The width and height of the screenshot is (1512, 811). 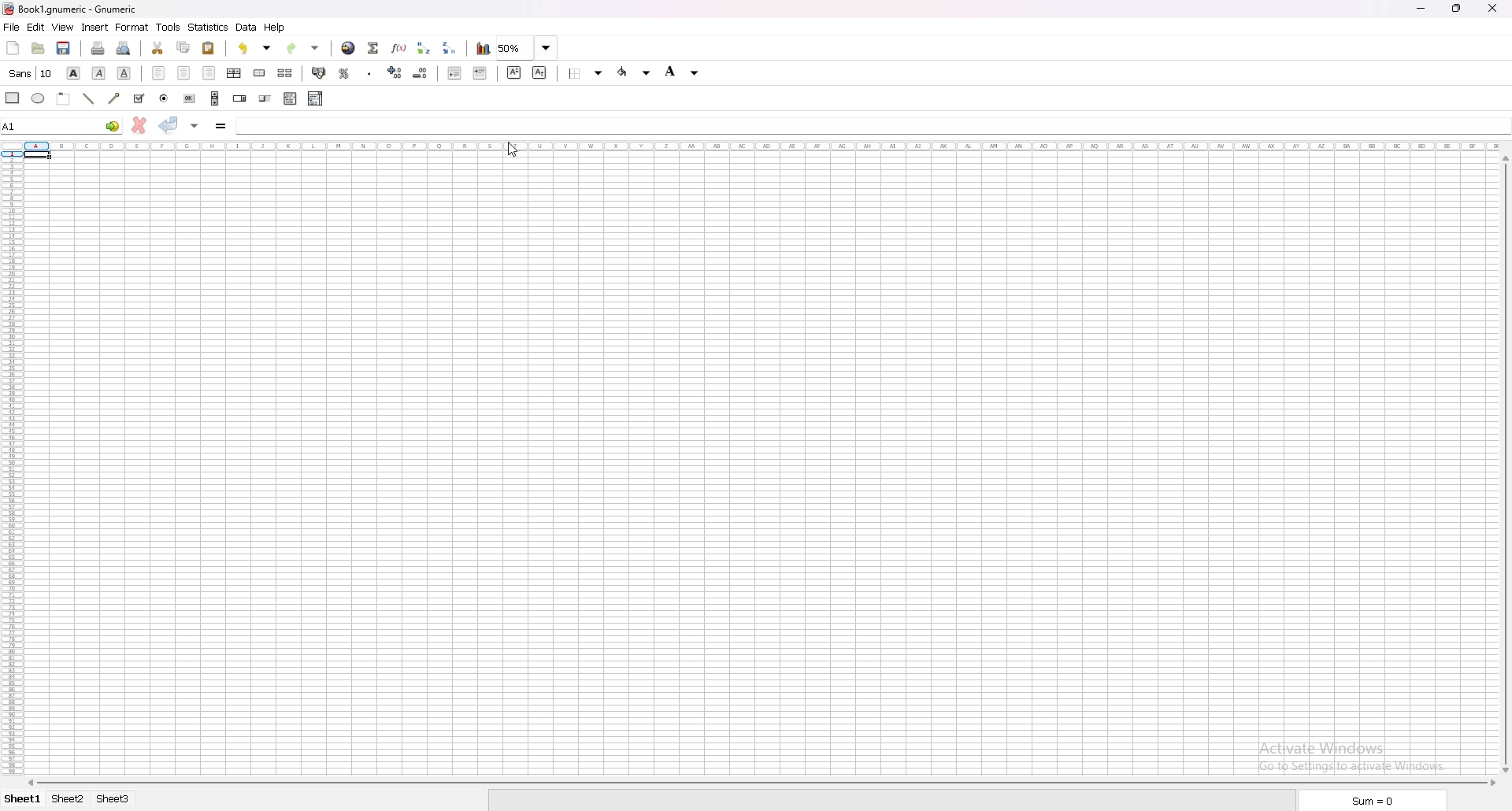 What do you see at coordinates (276, 28) in the screenshot?
I see `help` at bounding box center [276, 28].